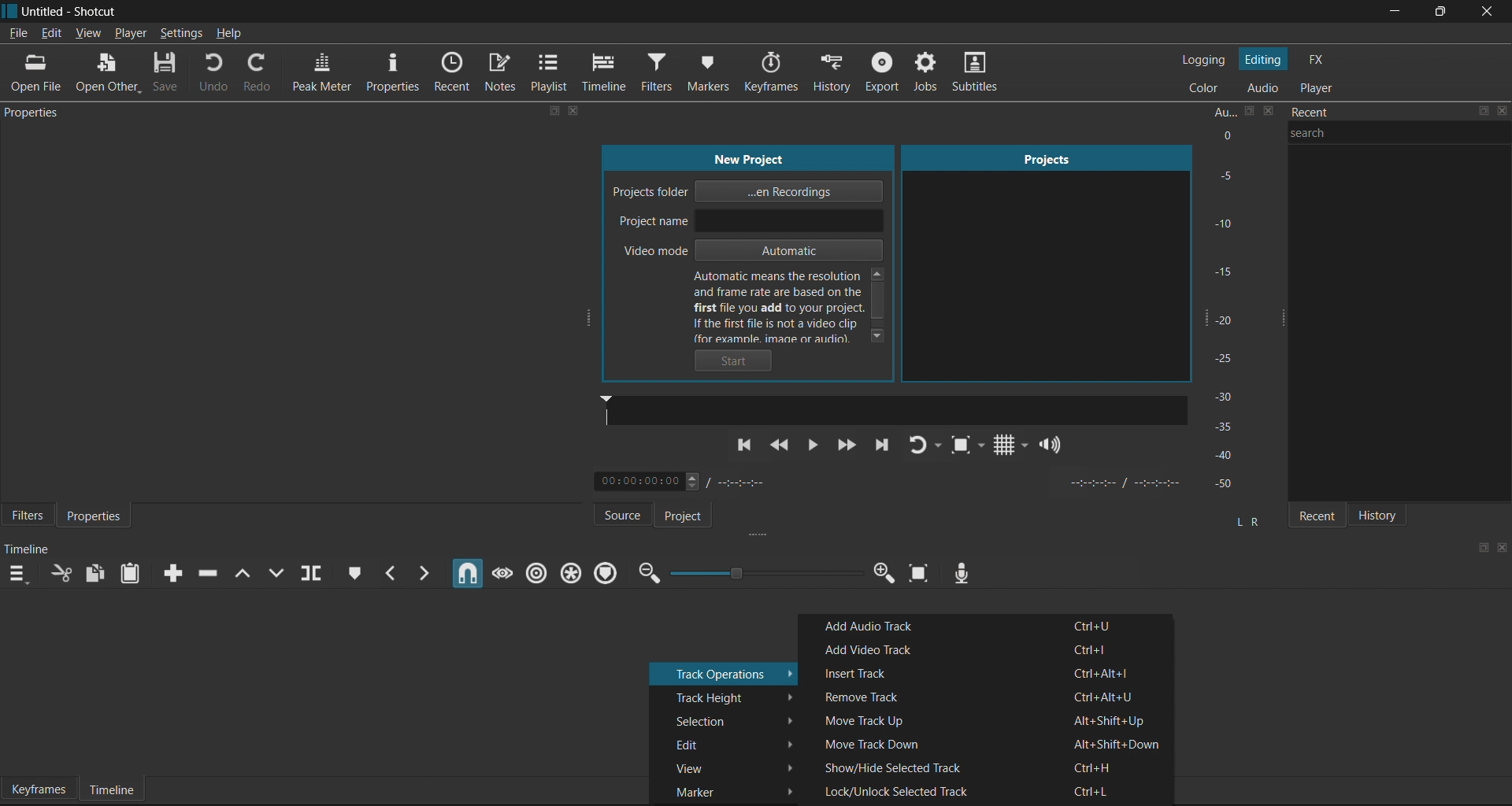 The width and height of the screenshot is (1512, 806). What do you see at coordinates (718, 69) in the screenshot?
I see `Markers` at bounding box center [718, 69].